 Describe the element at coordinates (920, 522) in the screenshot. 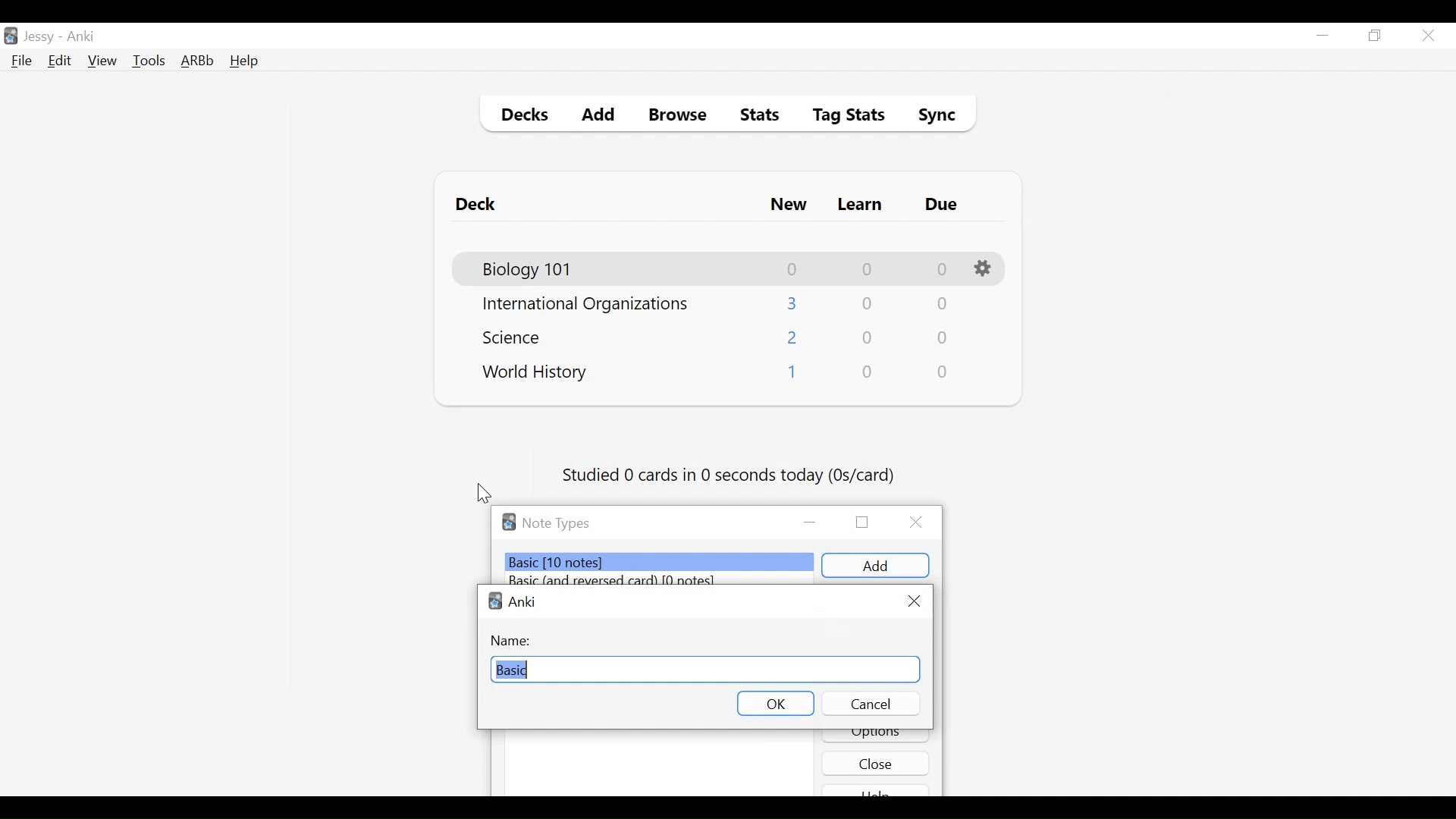

I see `Close` at that location.